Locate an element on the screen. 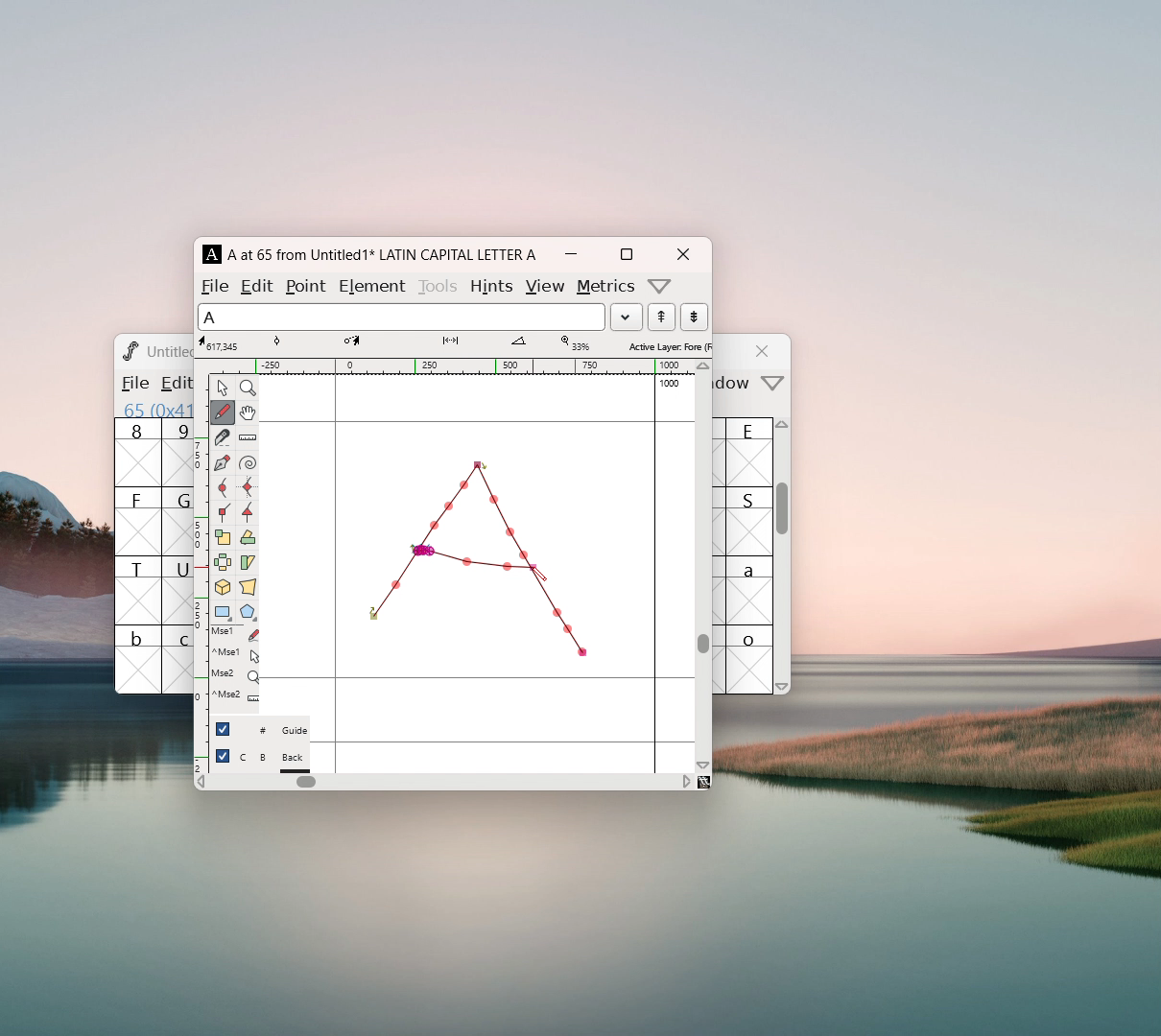  coordinates of cursor destination is located at coordinates (370, 343).